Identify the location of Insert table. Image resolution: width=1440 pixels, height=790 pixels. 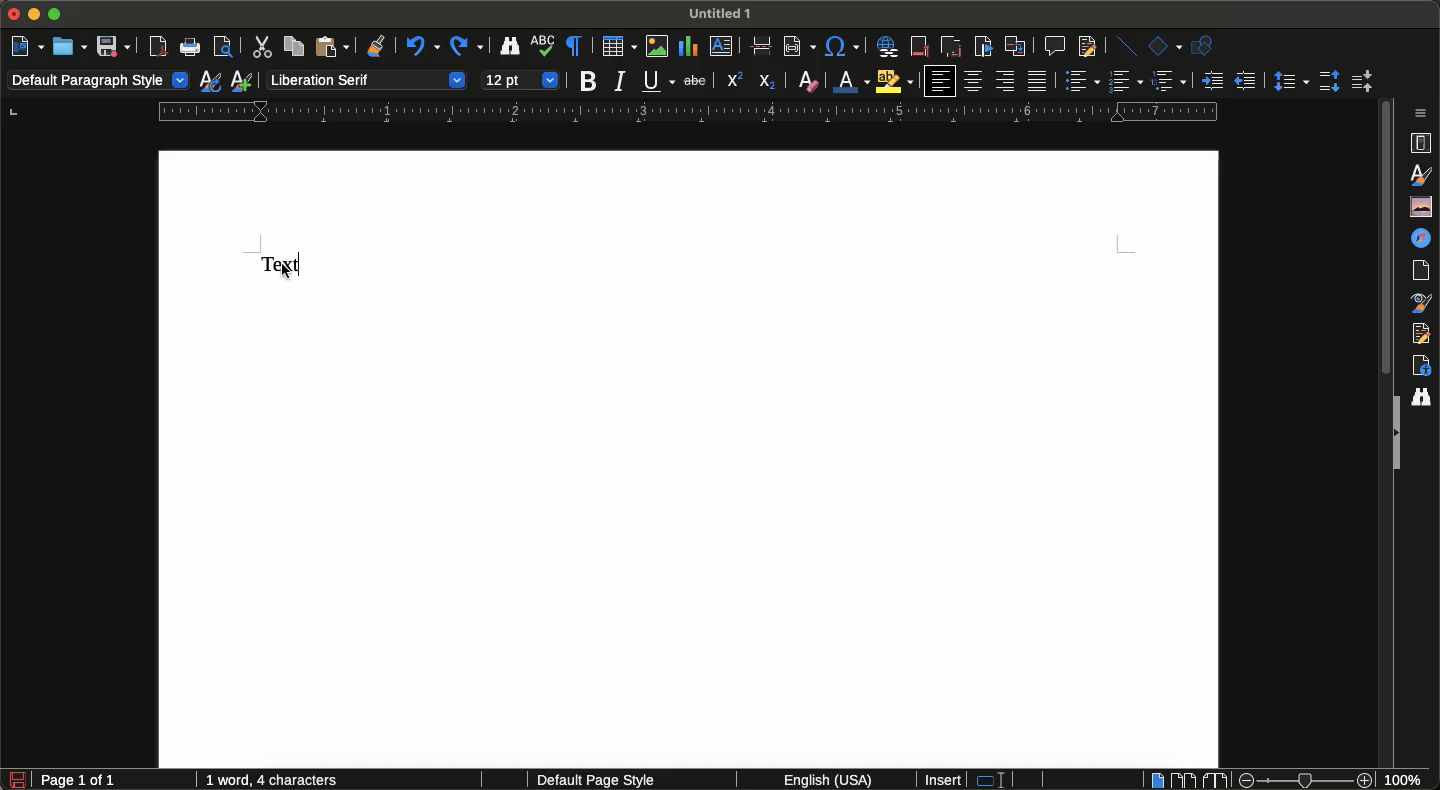
(619, 46).